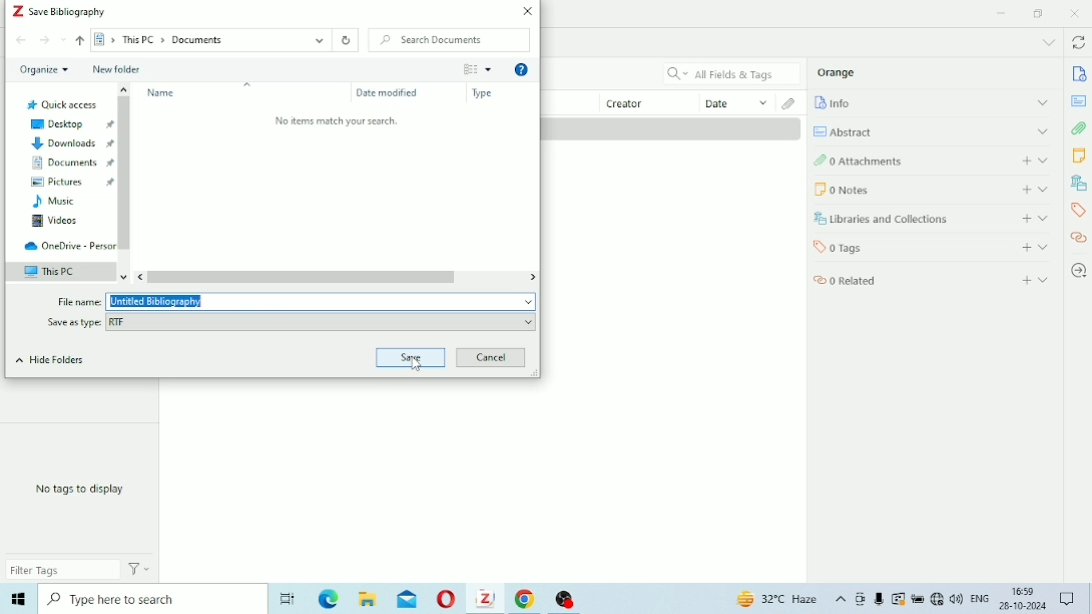 This screenshot has height=614, width=1092. I want to click on No tags to display, so click(80, 489).